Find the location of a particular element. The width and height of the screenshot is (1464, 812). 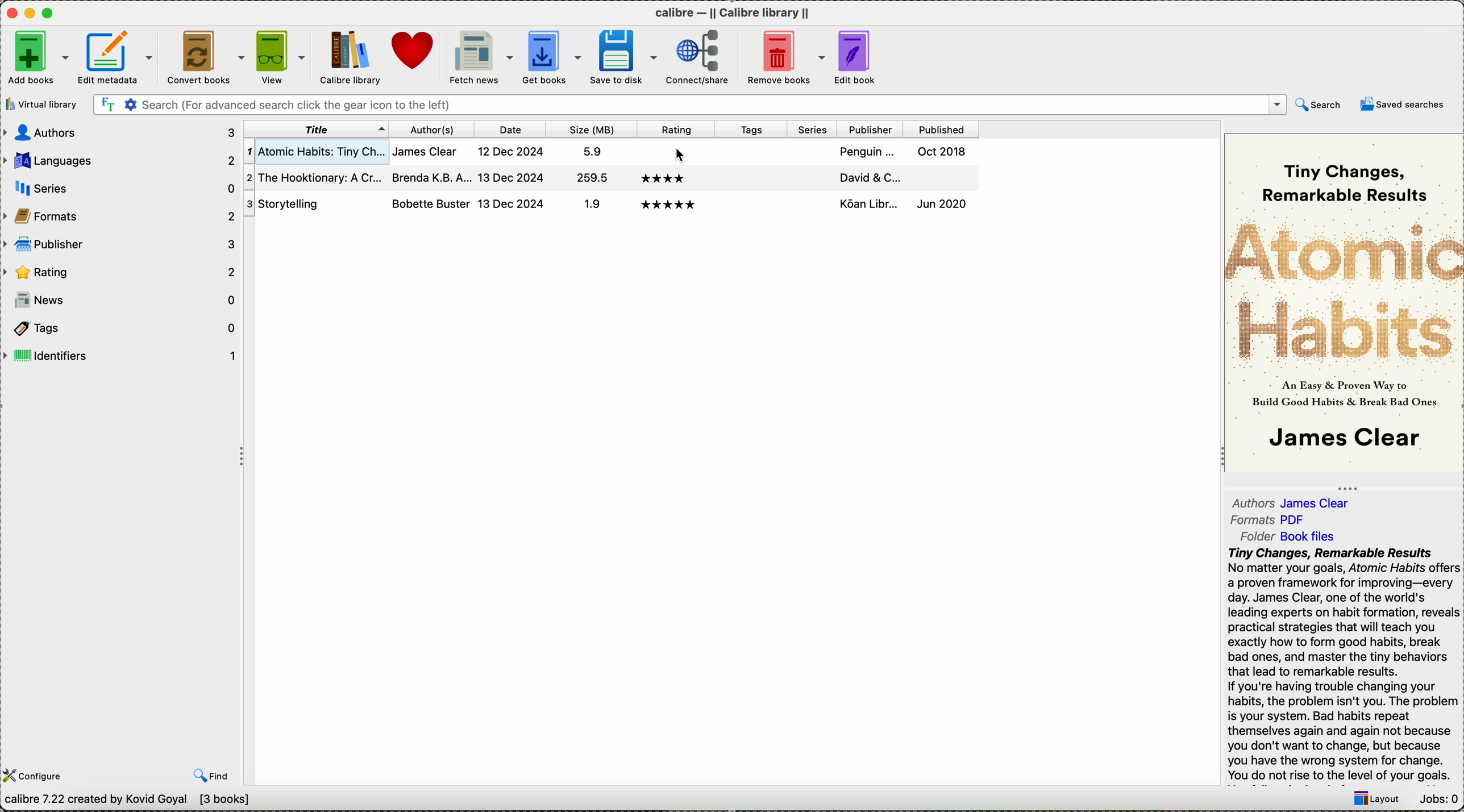

search(for advanced search click the gear icon to the left is located at coordinates (690, 105).